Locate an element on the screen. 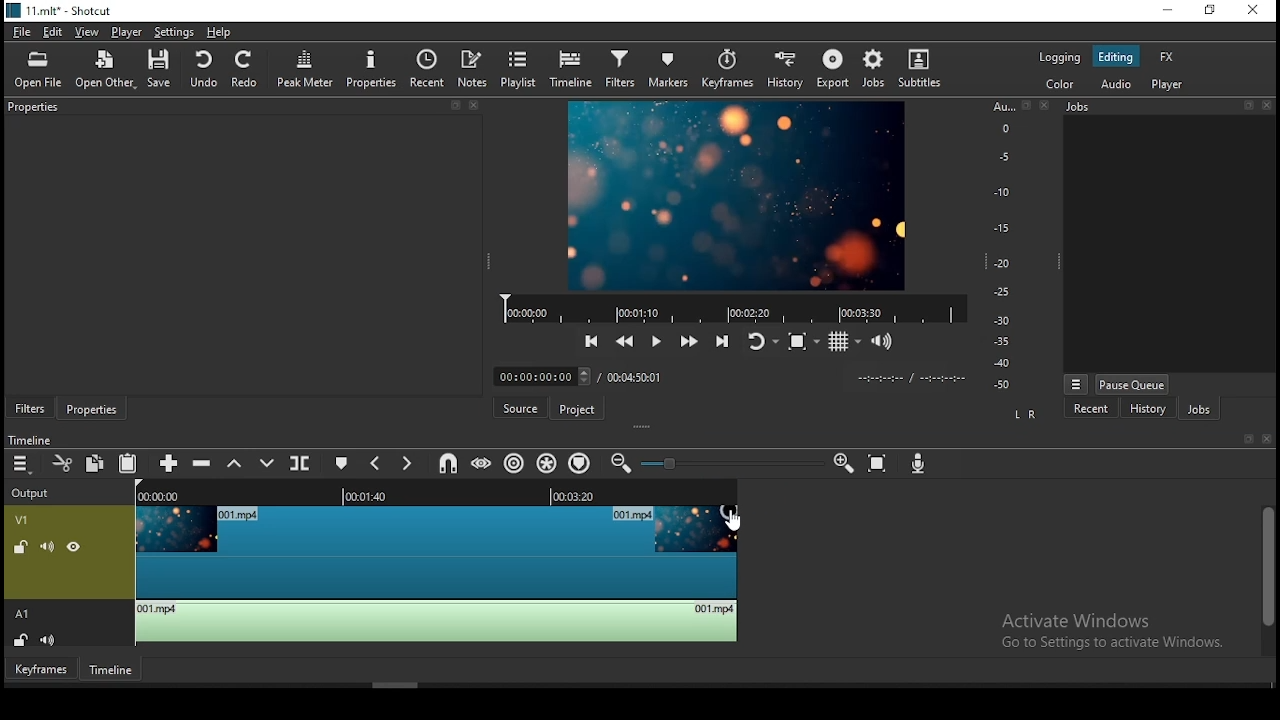 The width and height of the screenshot is (1280, 720). timeline is located at coordinates (574, 69).